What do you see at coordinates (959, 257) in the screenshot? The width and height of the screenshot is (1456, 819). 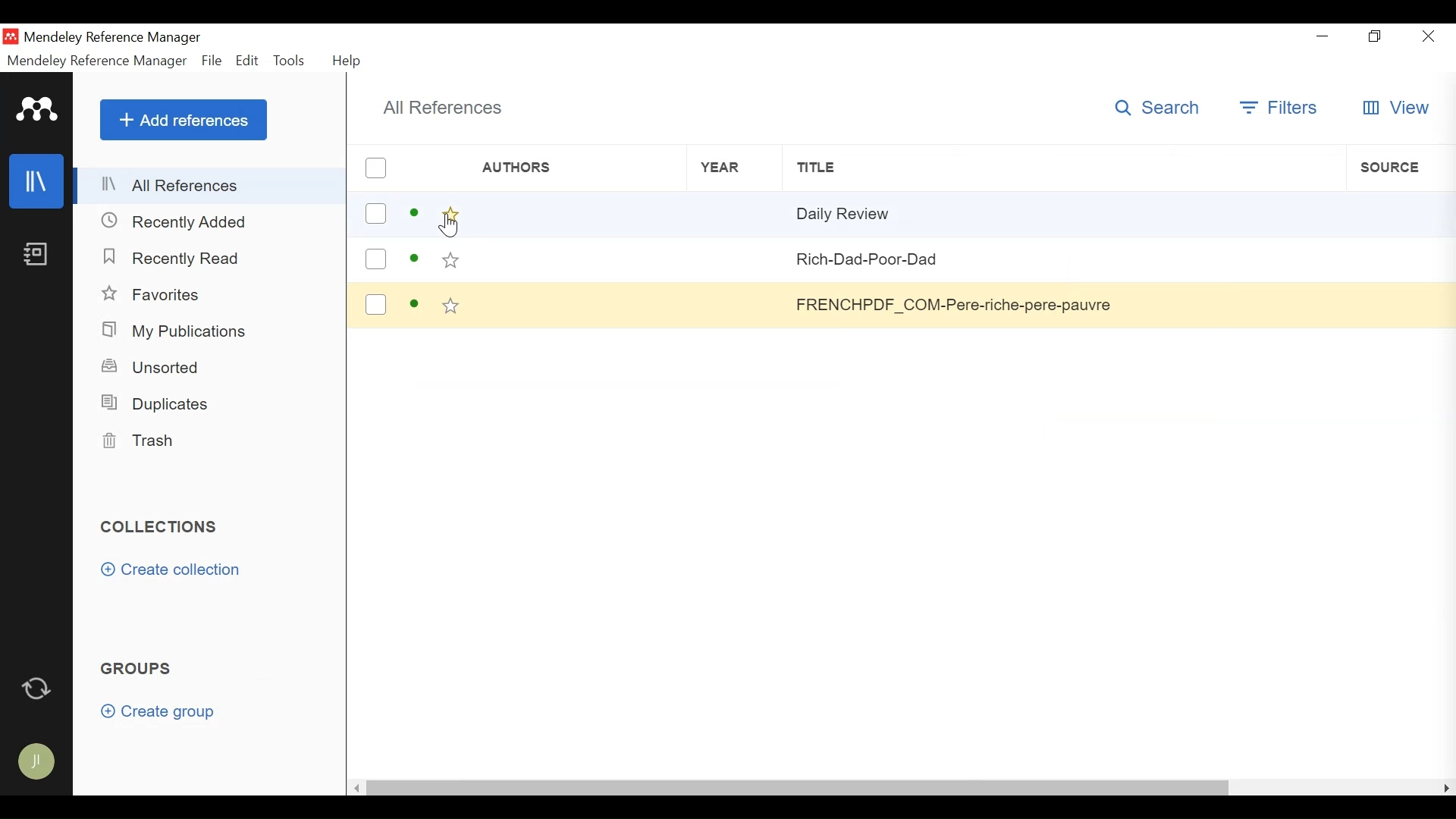 I see `Rich-Dad-Poor-Dad` at bounding box center [959, 257].